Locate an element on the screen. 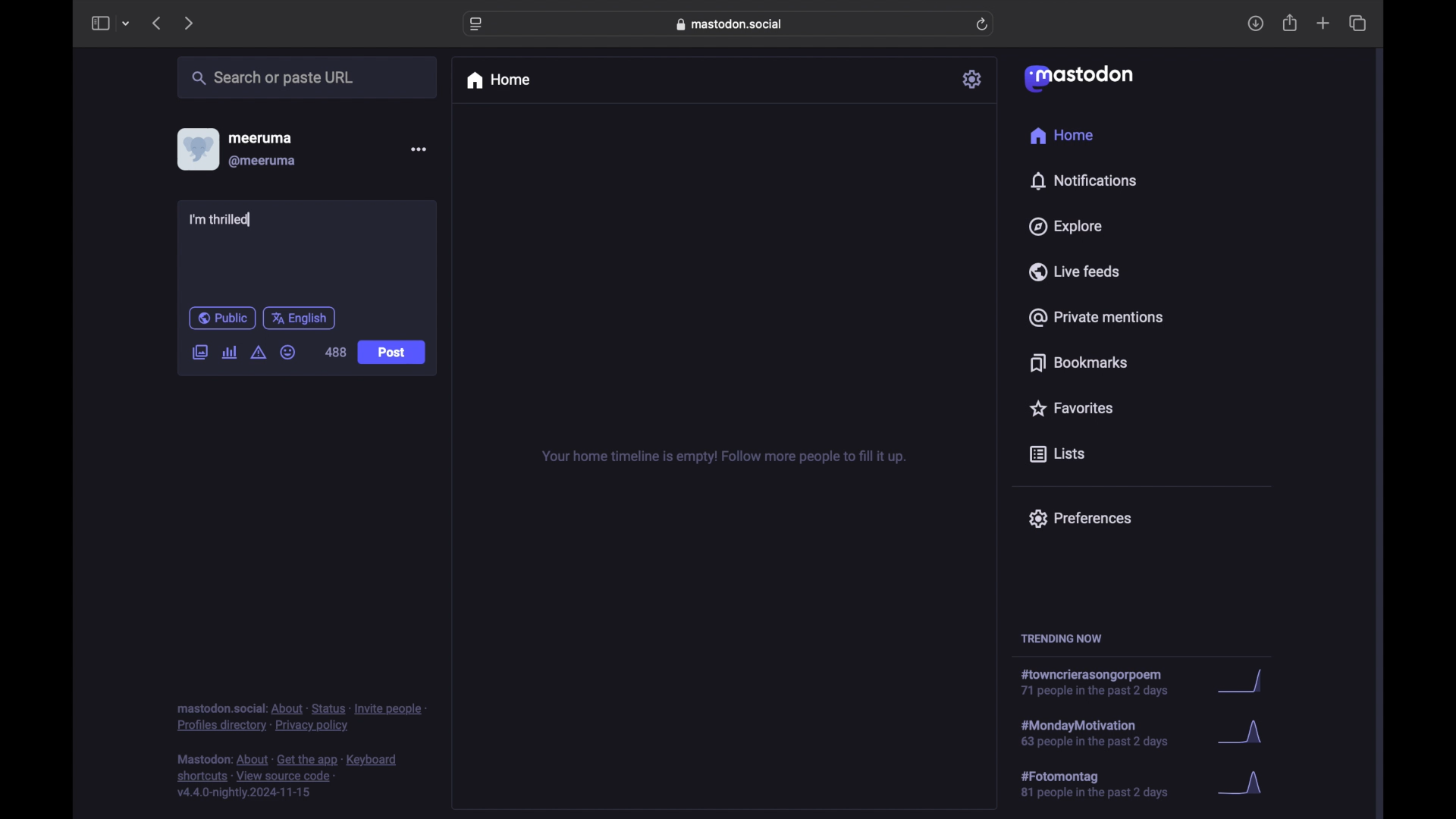  graph is located at coordinates (1244, 734).